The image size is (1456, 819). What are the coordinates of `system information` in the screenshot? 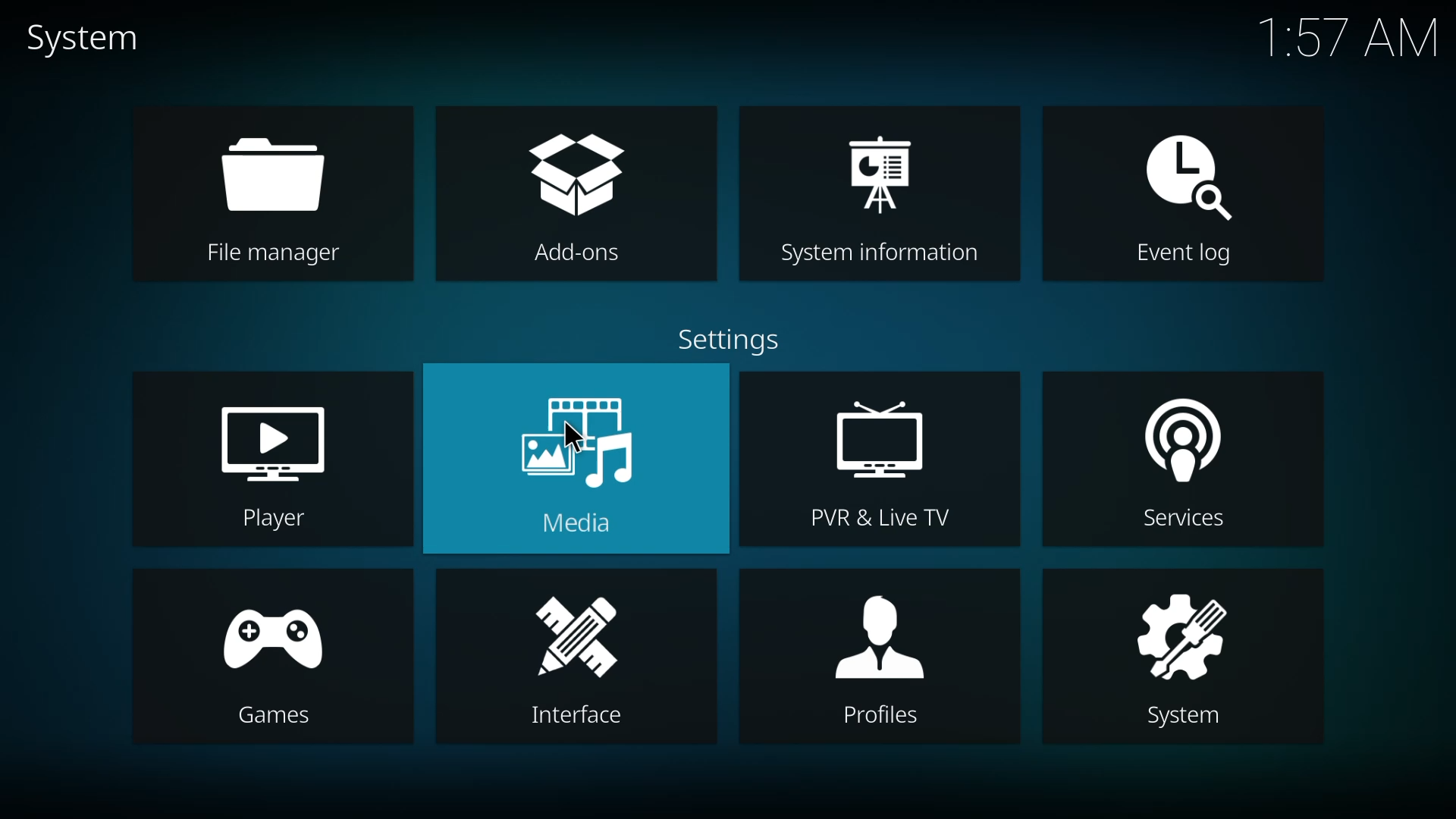 It's located at (880, 196).